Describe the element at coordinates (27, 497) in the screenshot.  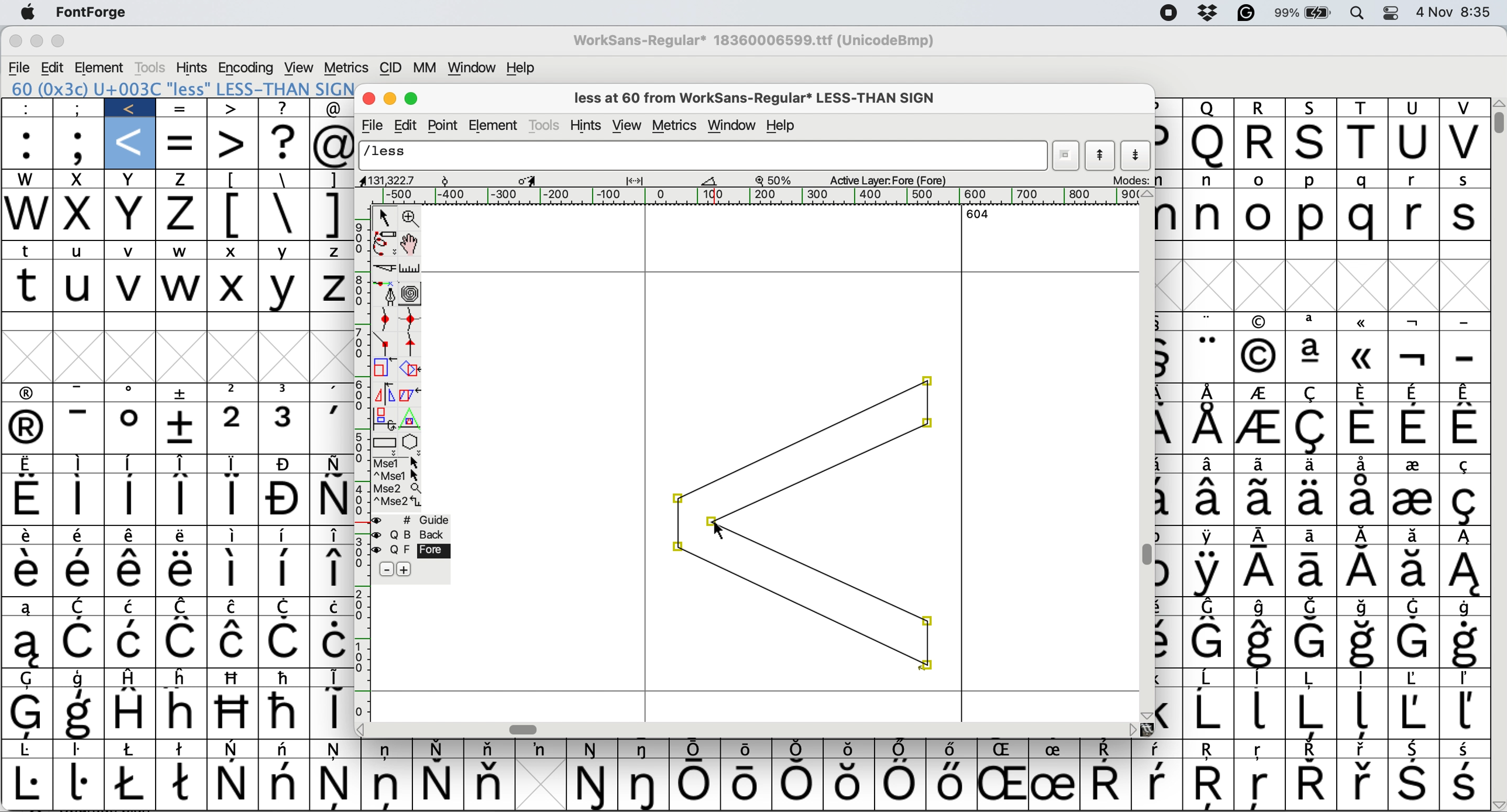
I see `Symbol` at that location.